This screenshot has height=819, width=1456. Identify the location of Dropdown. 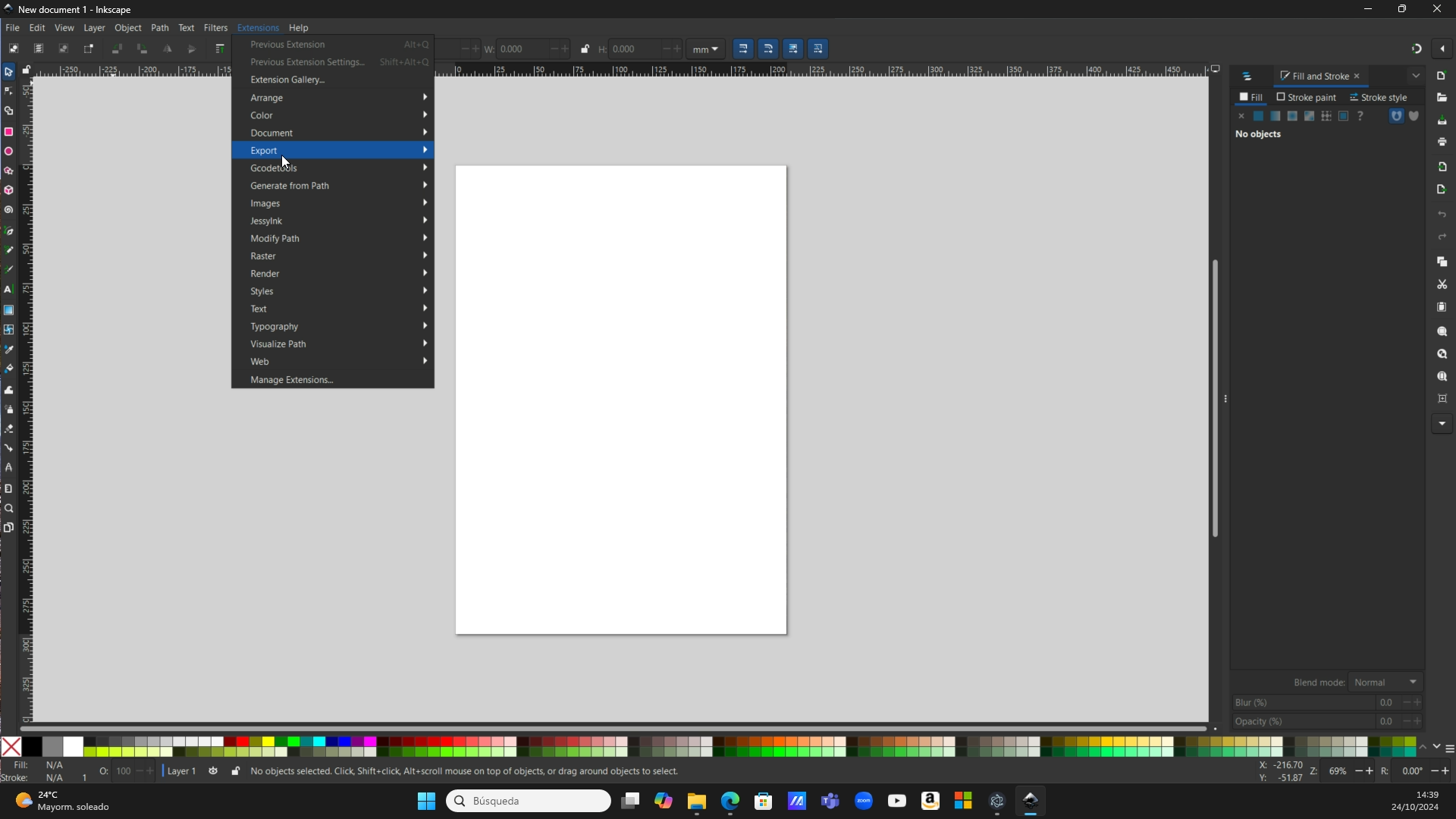
(1415, 76).